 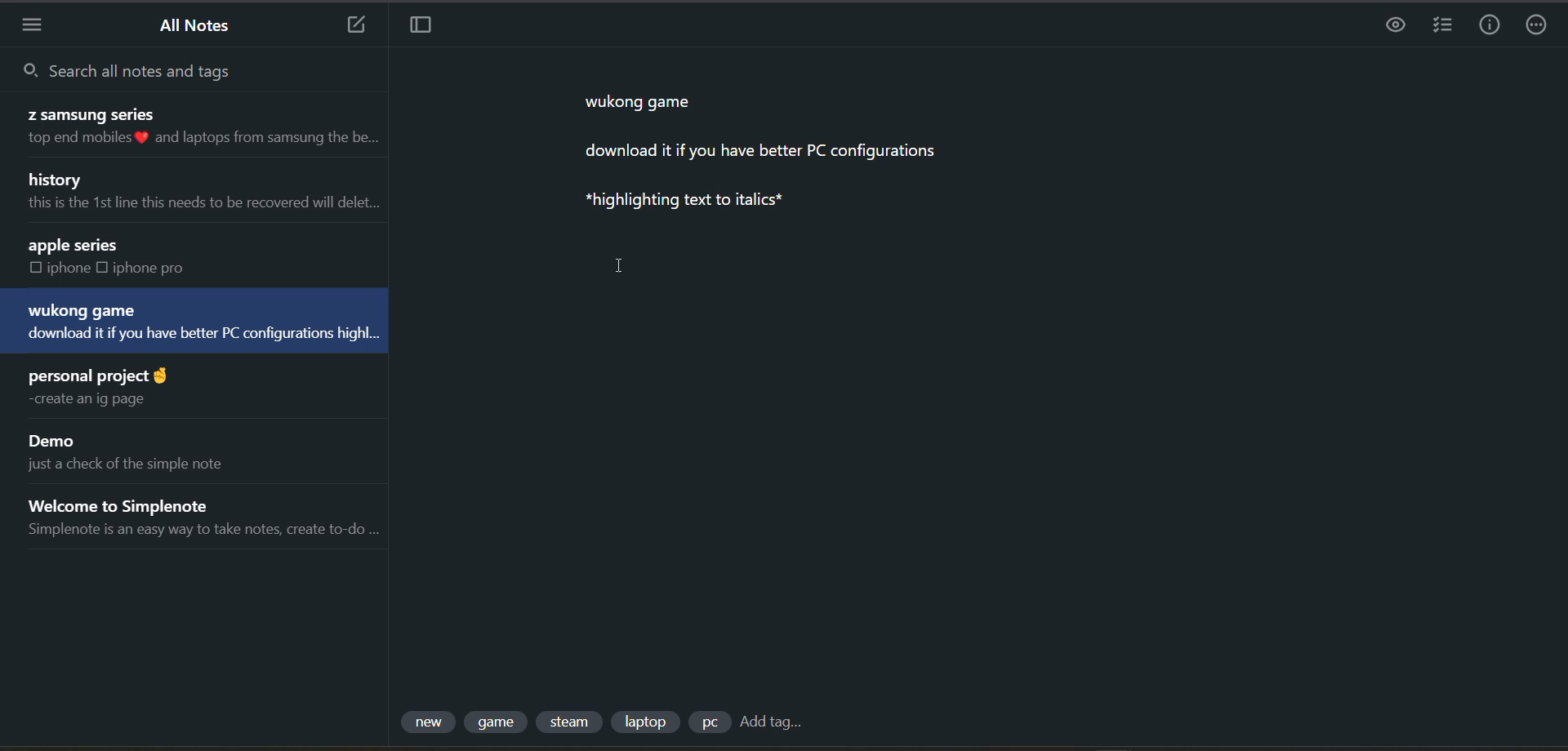 What do you see at coordinates (424, 29) in the screenshot?
I see `toggle focus mode` at bounding box center [424, 29].